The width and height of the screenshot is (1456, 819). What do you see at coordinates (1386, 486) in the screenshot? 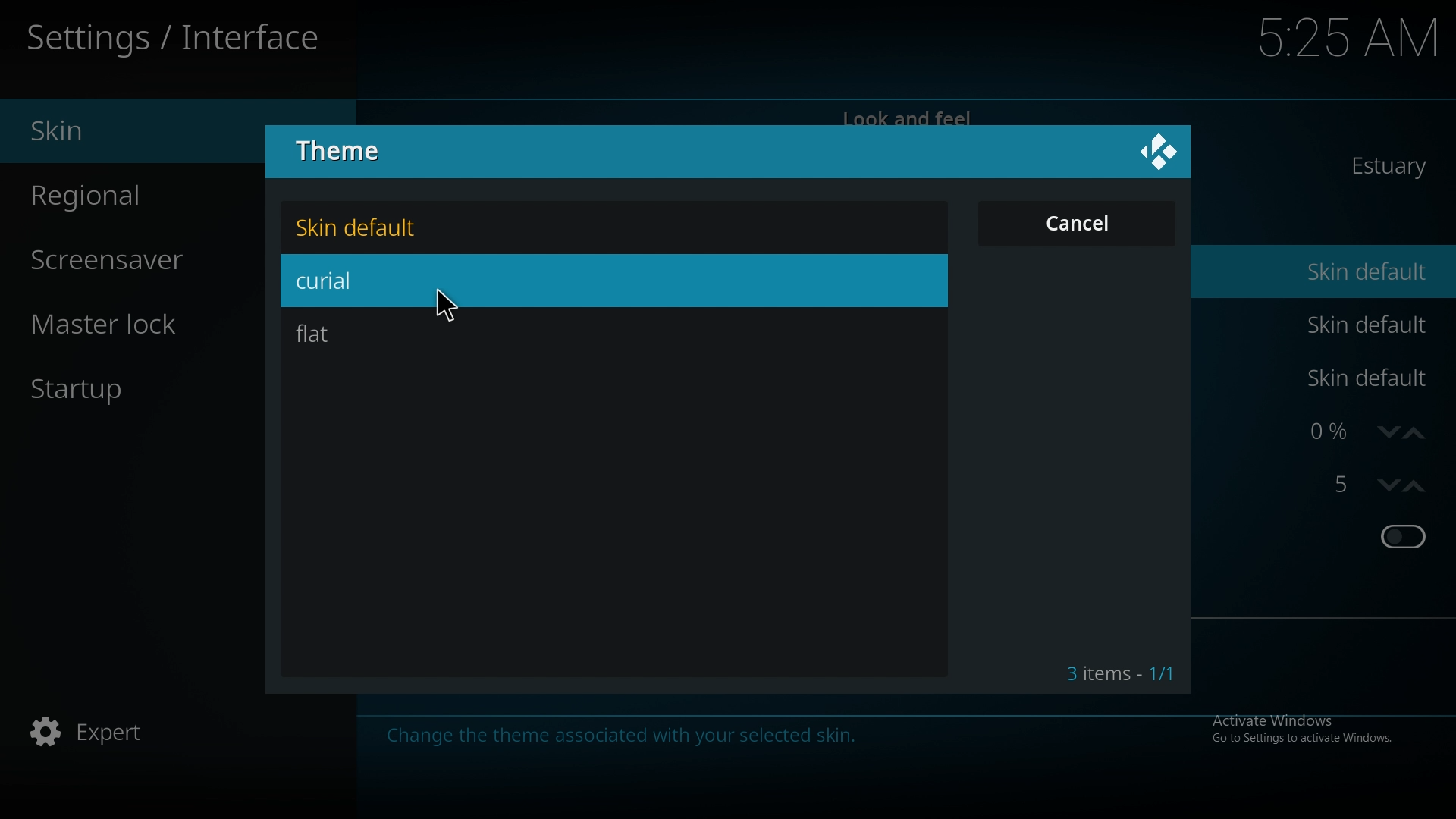
I see `decrease` at bounding box center [1386, 486].